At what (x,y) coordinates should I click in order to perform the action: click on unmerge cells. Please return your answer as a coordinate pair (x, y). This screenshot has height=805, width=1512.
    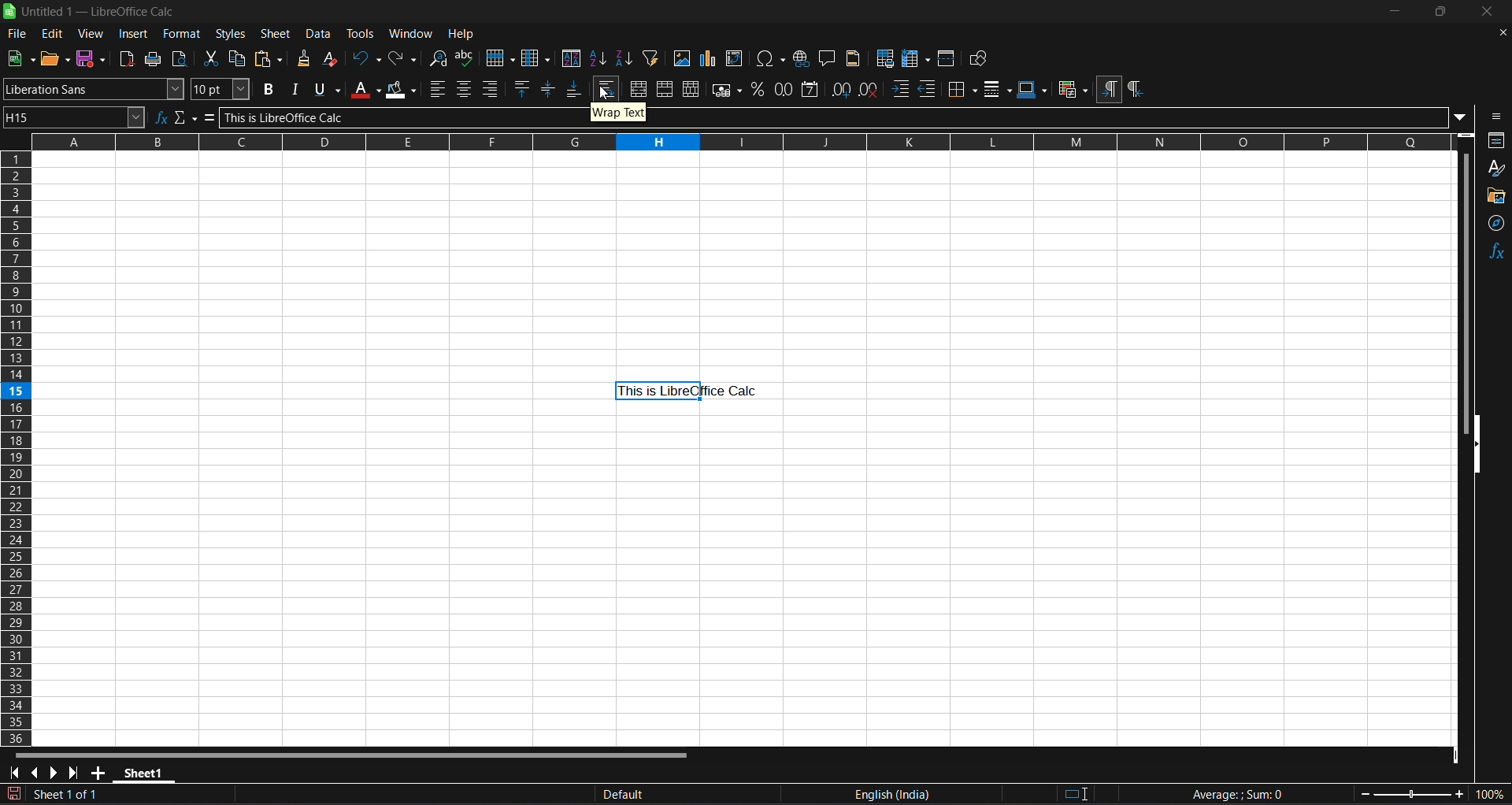
    Looking at the image, I should click on (691, 89).